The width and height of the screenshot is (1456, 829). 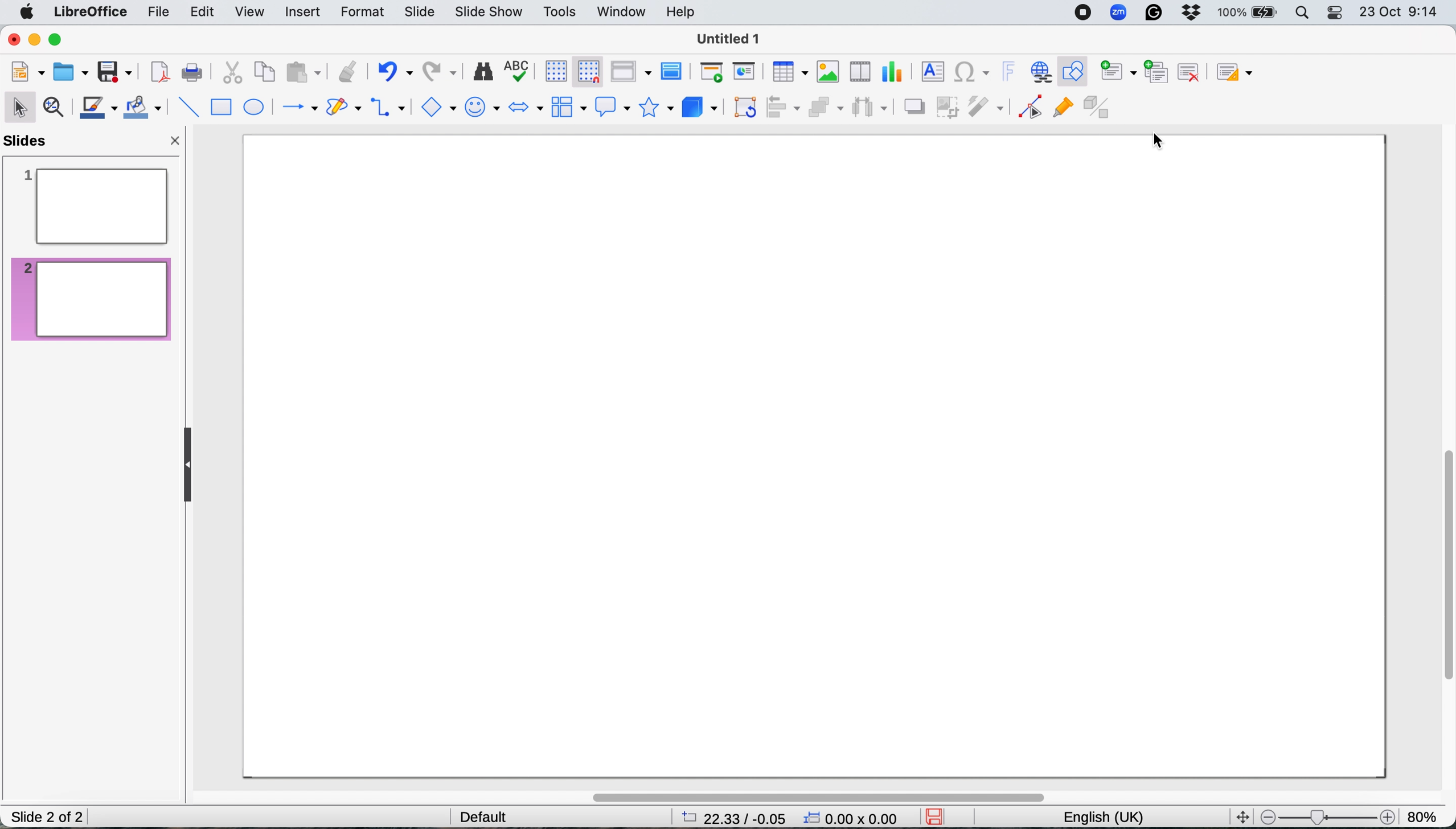 What do you see at coordinates (1116, 69) in the screenshot?
I see `new slide` at bounding box center [1116, 69].